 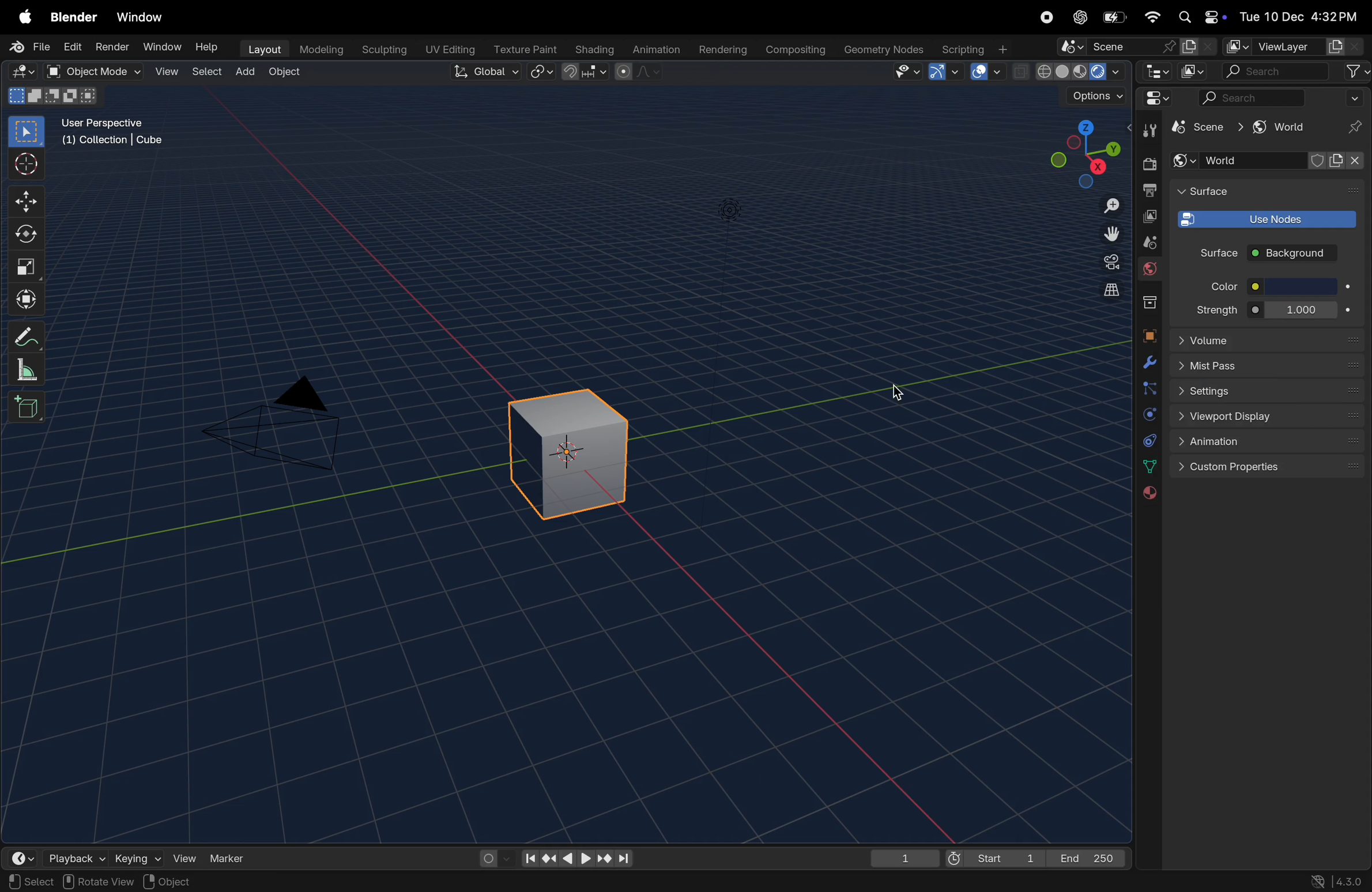 What do you see at coordinates (1208, 131) in the screenshot?
I see `scene` at bounding box center [1208, 131].